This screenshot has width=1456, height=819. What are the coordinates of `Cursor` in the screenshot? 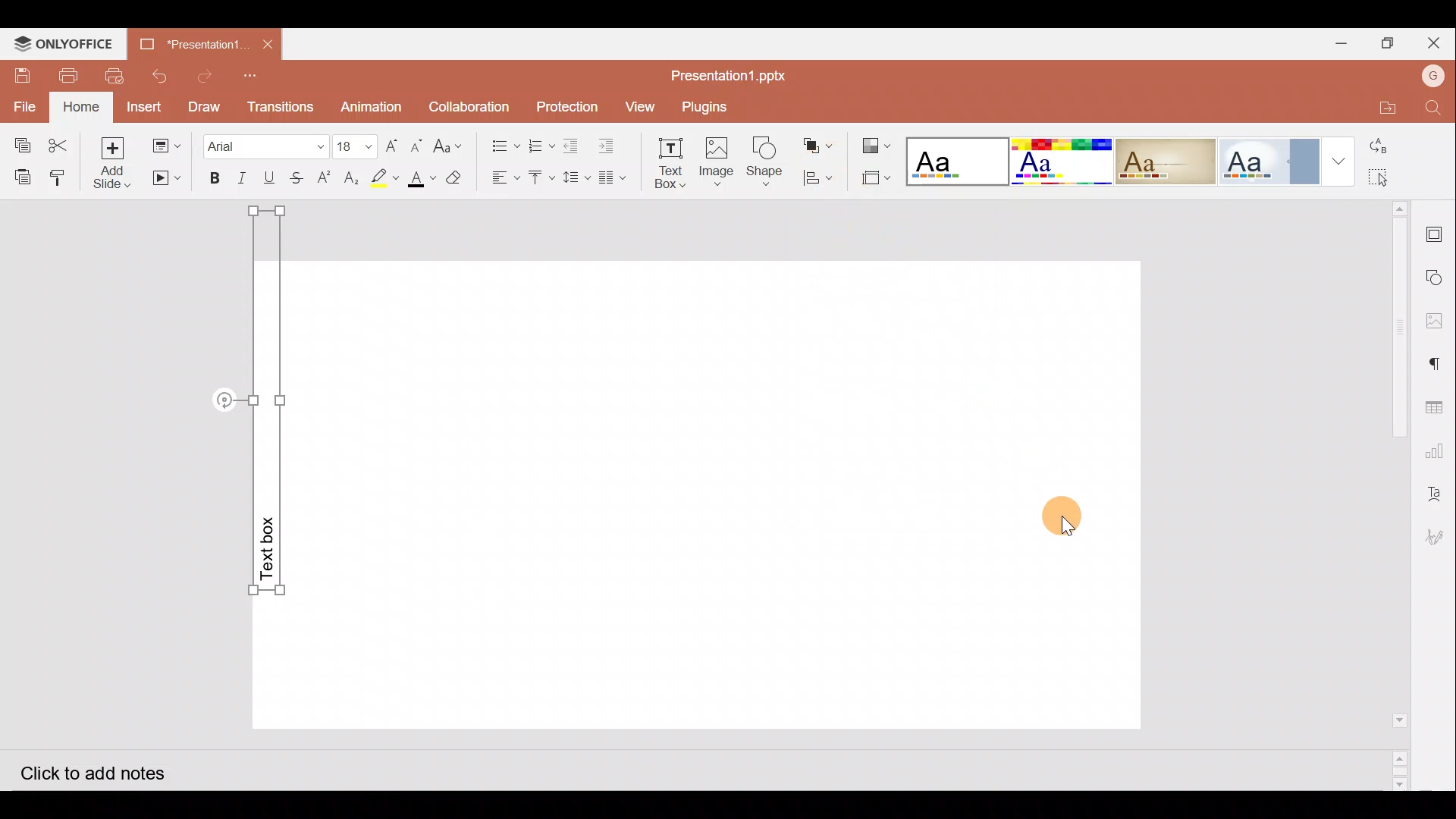 It's located at (1083, 516).